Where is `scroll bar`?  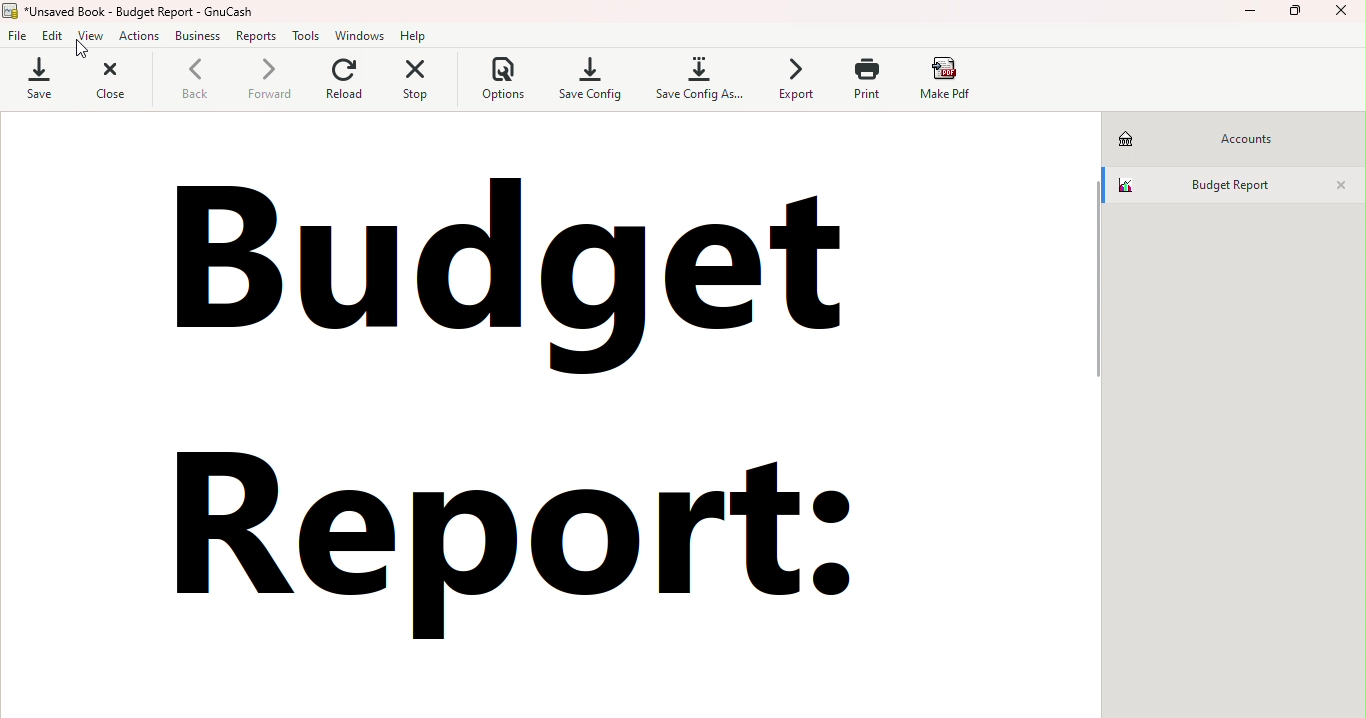 scroll bar is located at coordinates (1101, 410).